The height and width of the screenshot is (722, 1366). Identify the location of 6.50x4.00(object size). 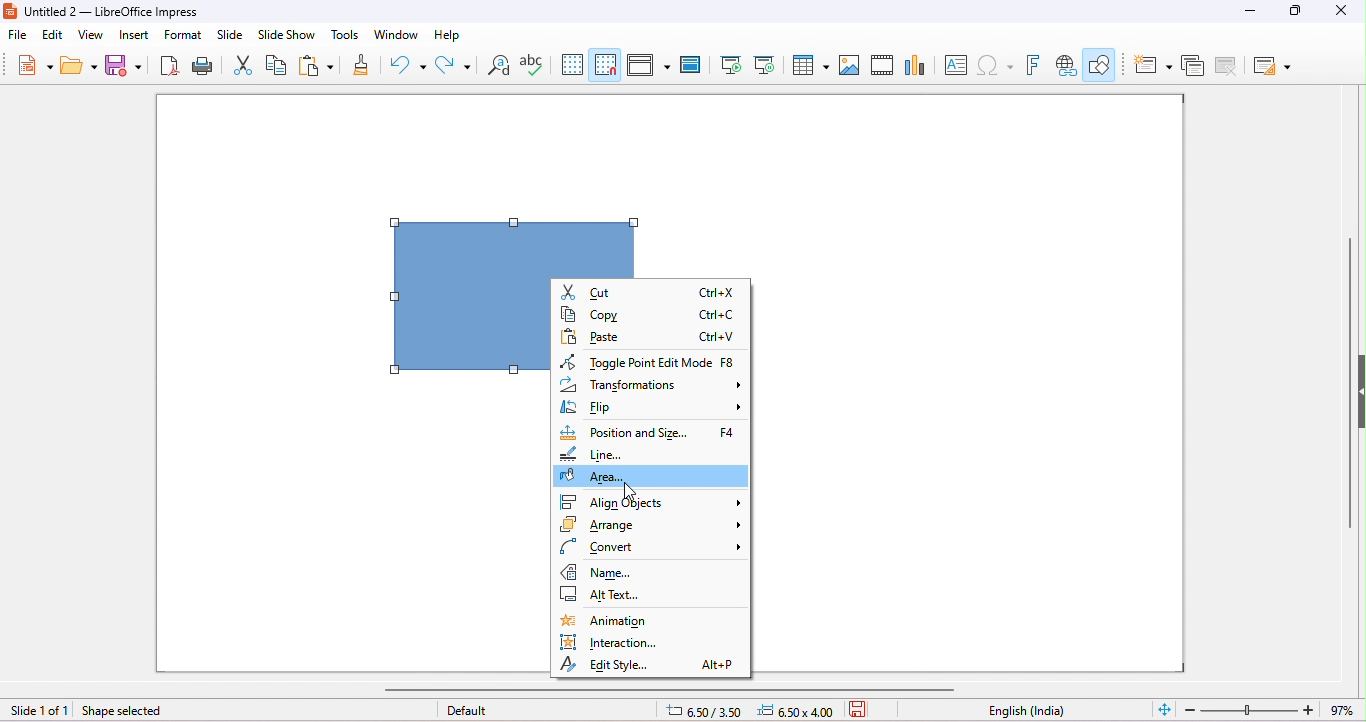
(799, 711).